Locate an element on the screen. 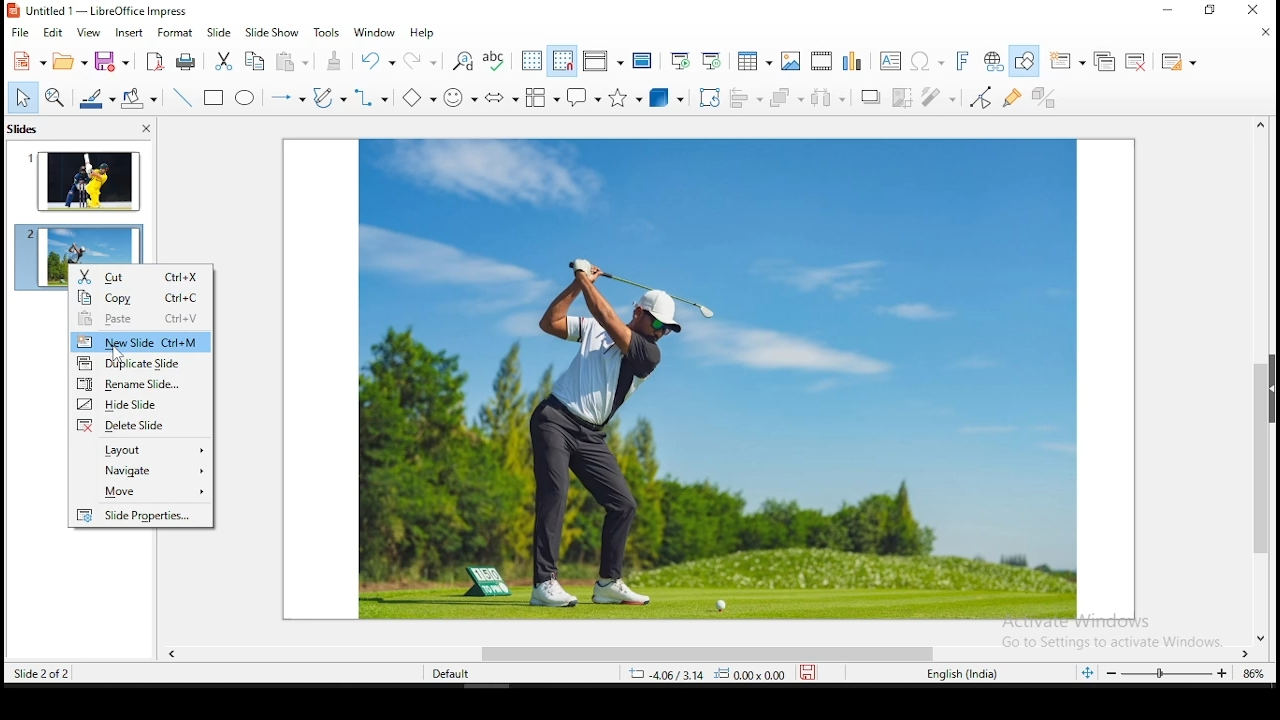 This screenshot has height=720, width=1280. start from current slide is located at coordinates (711, 62).